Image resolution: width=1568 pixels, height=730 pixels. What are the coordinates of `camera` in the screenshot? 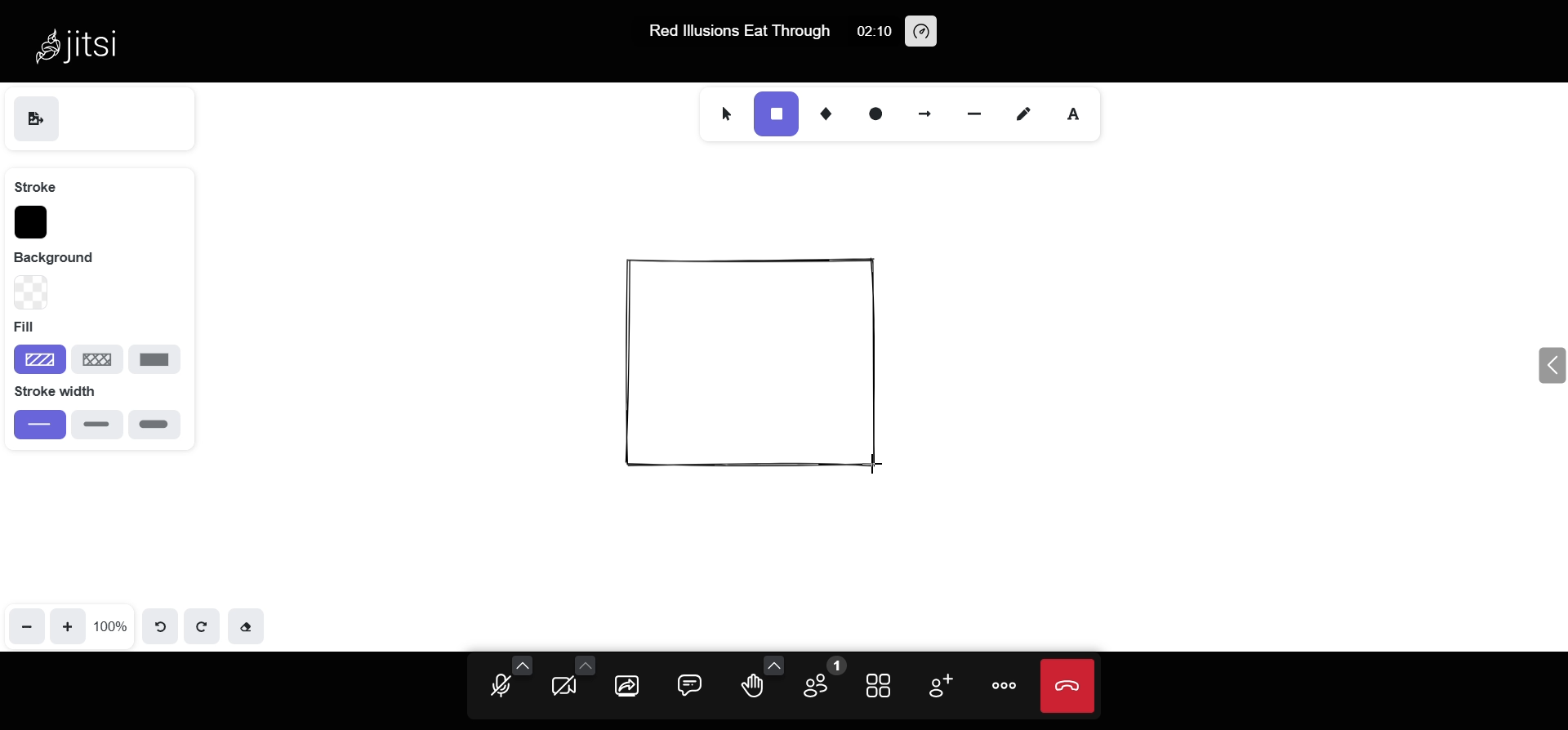 It's located at (565, 689).